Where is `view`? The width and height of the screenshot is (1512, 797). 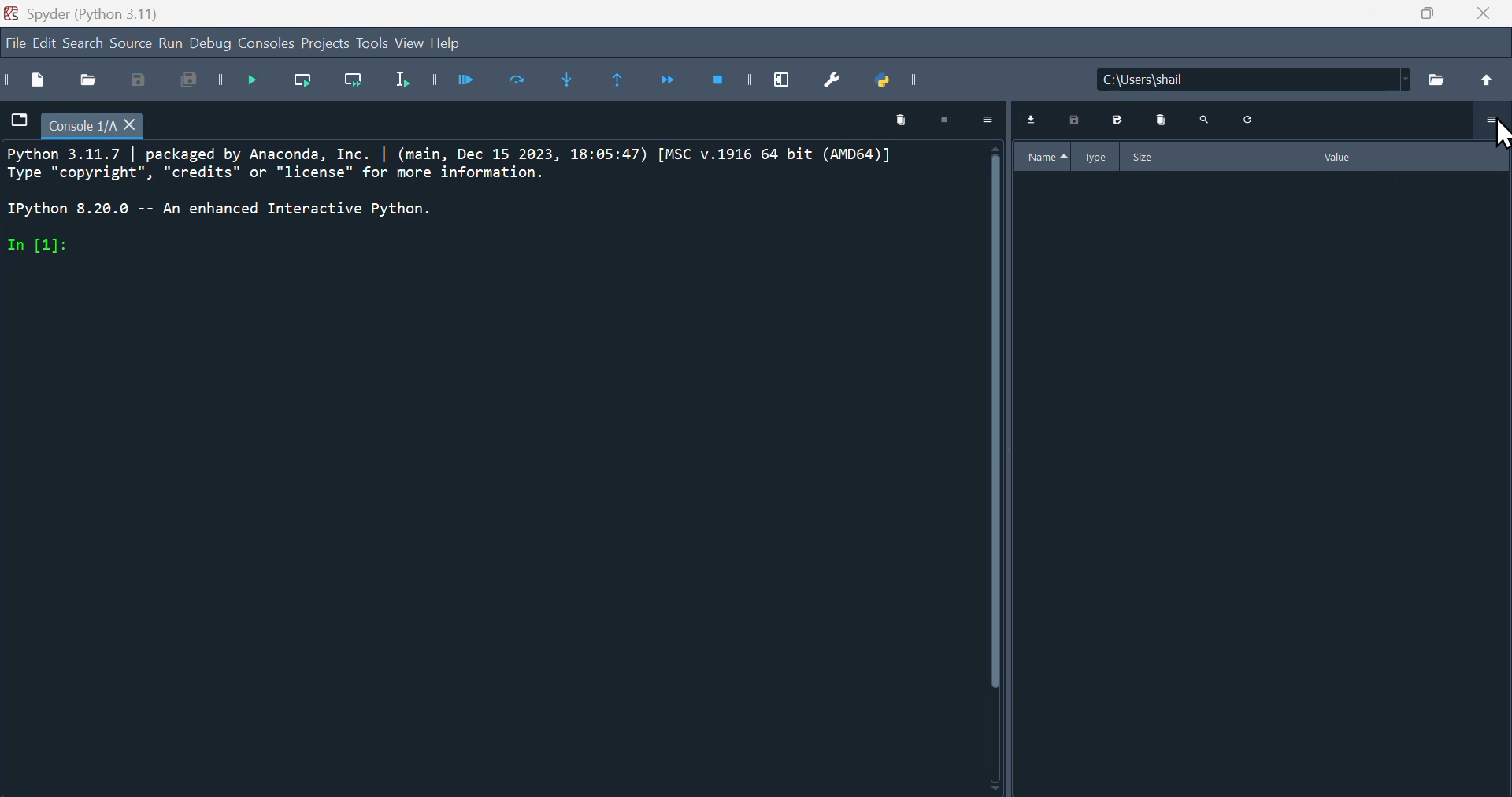 view is located at coordinates (409, 44).